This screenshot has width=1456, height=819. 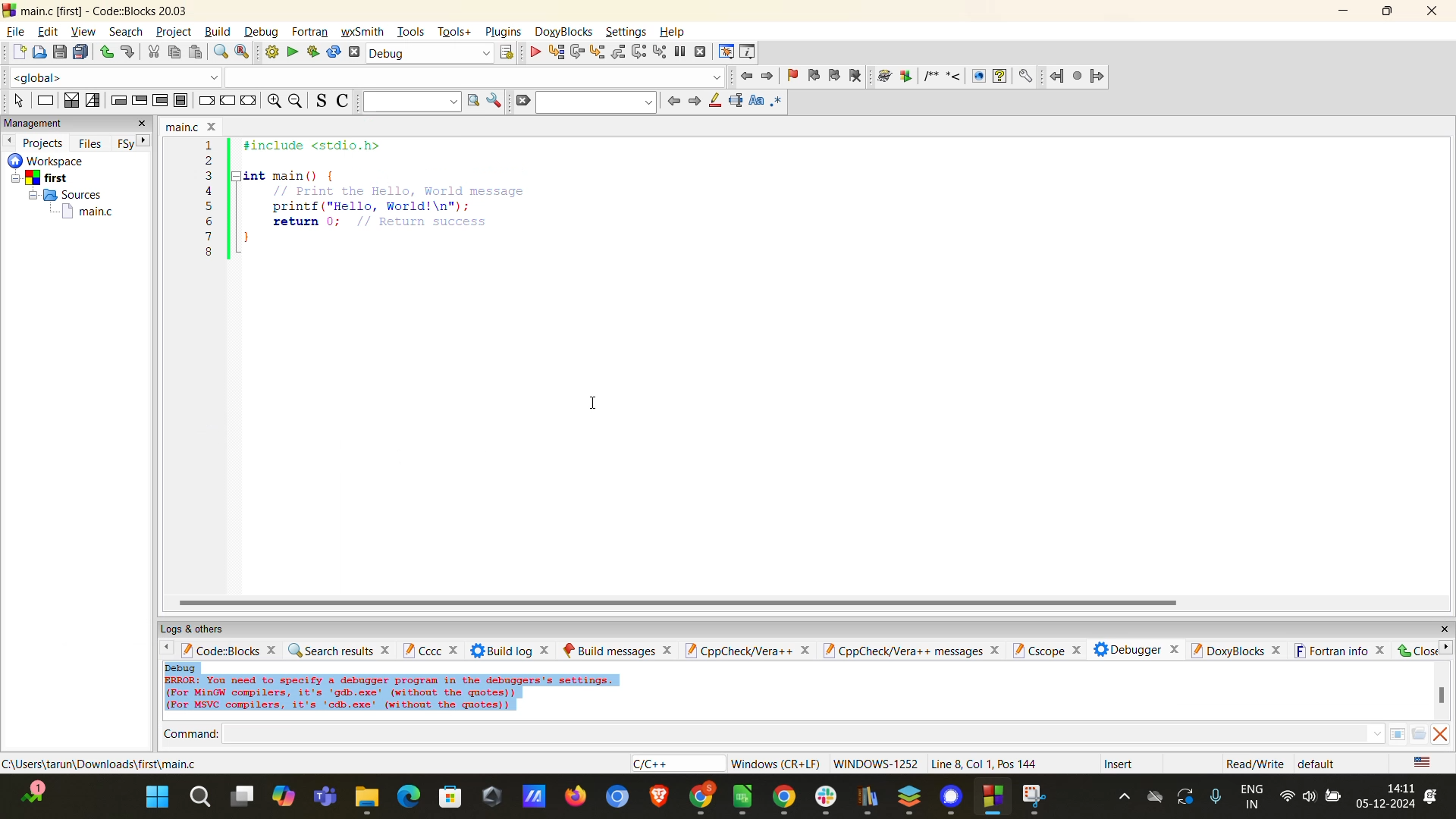 What do you see at coordinates (507, 52) in the screenshot?
I see `show the select target dialog` at bounding box center [507, 52].